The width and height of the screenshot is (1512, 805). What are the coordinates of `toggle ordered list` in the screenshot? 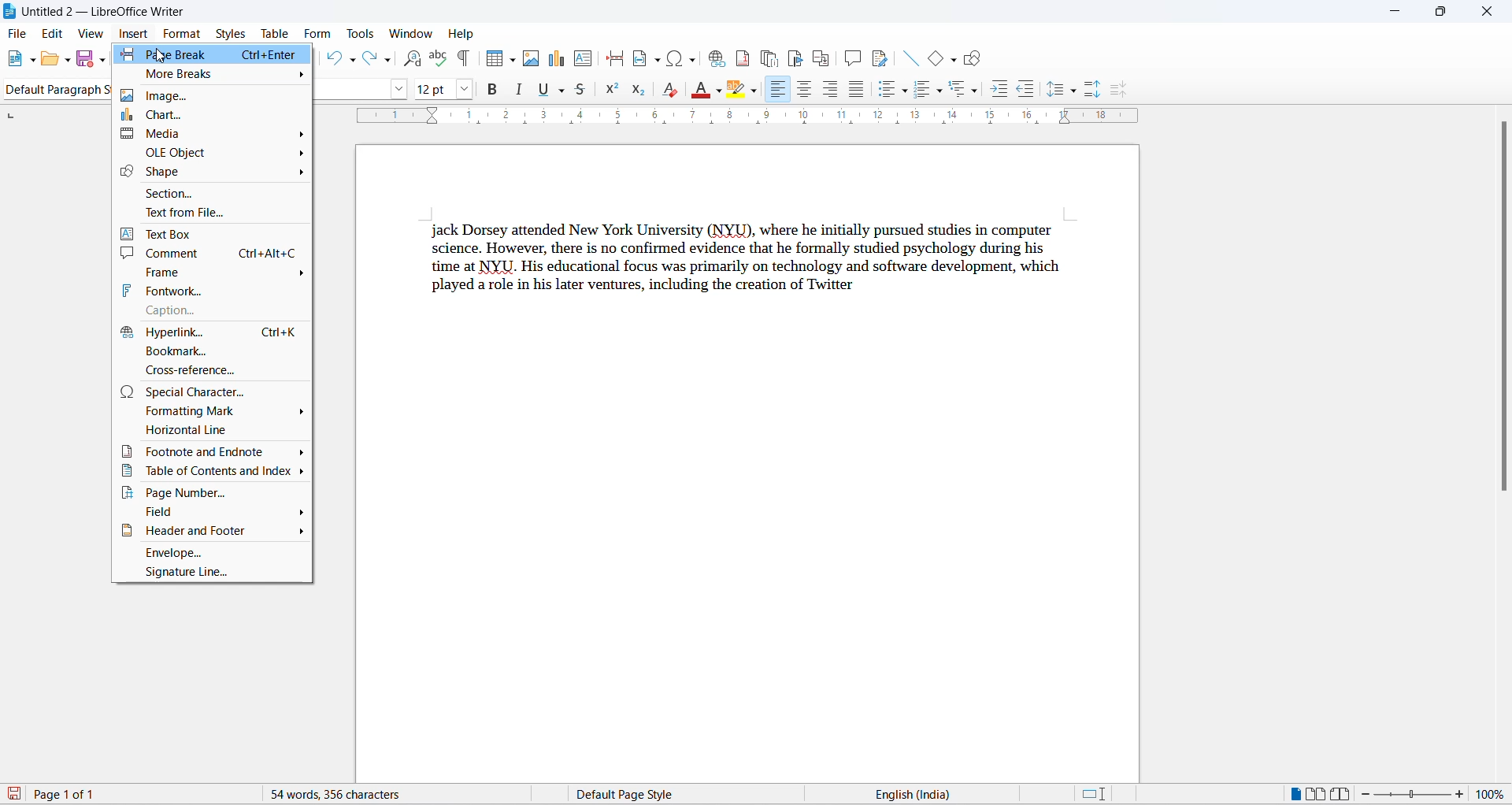 It's located at (923, 93).